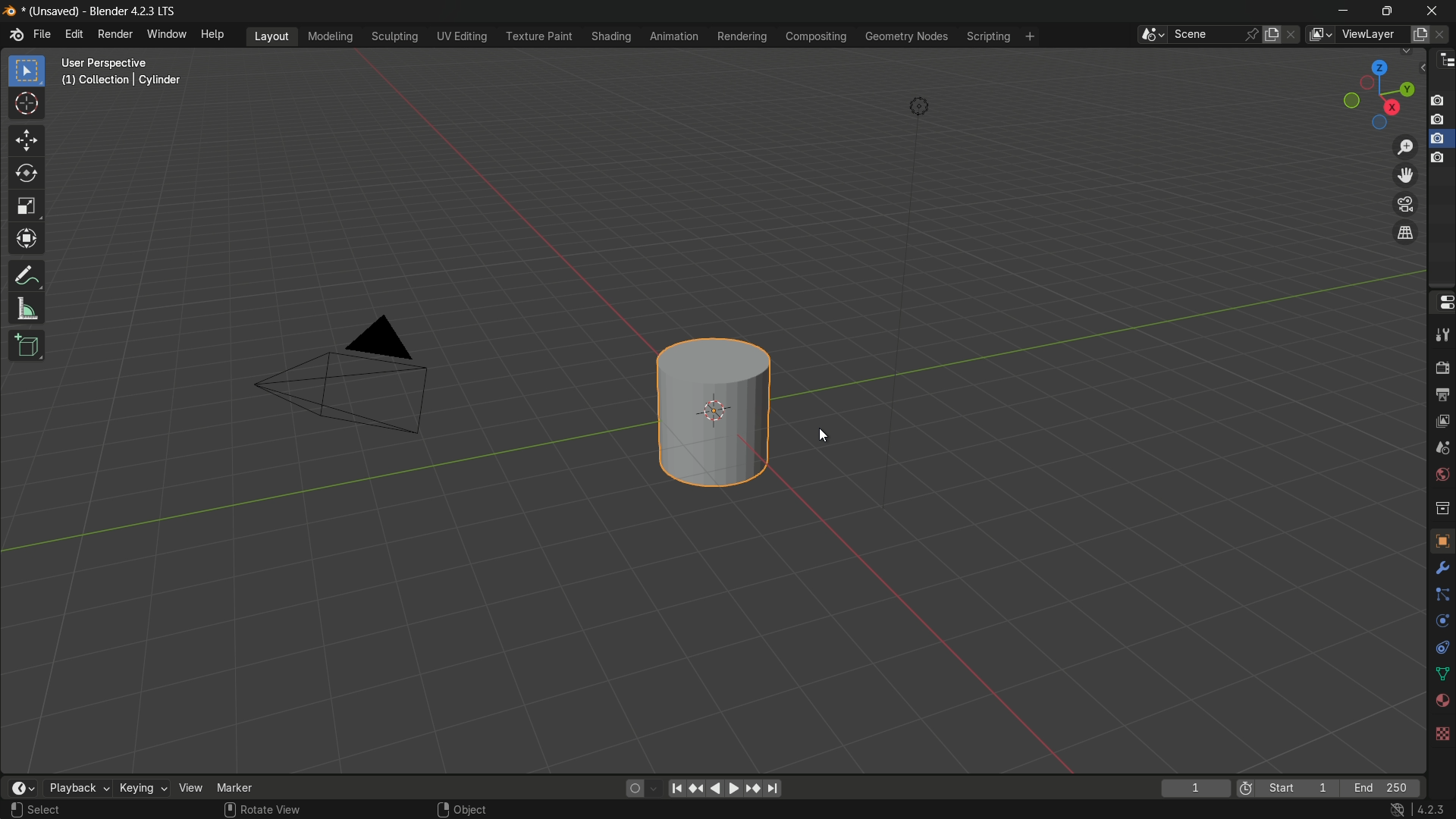 Image resolution: width=1456 pixels, height=819 pixels. I want to click on timeline, so click(20, 788).